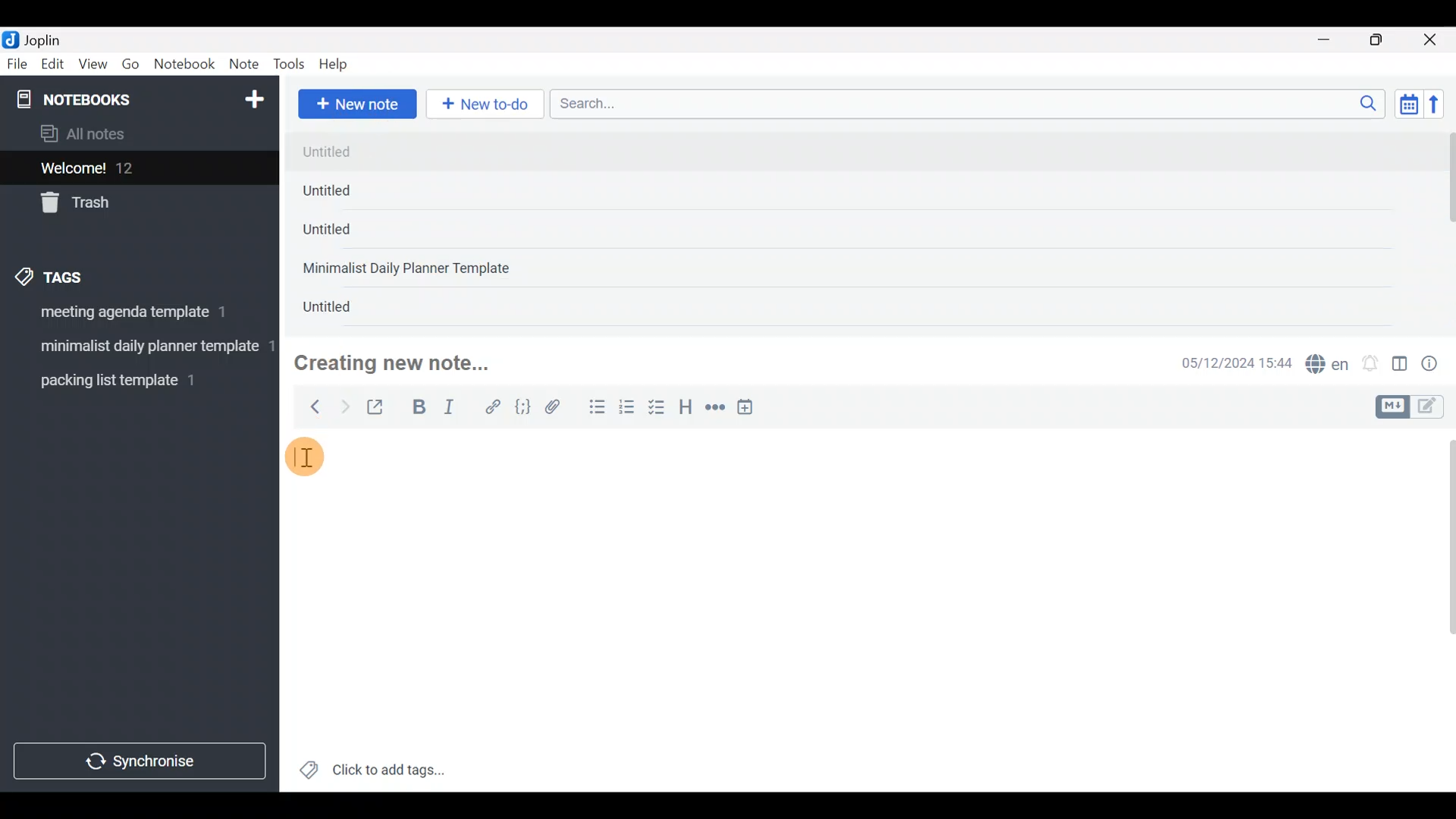  Describe the element at coordinates (381, 408) in the screenshot. I see `Toggle external editing` at that location.